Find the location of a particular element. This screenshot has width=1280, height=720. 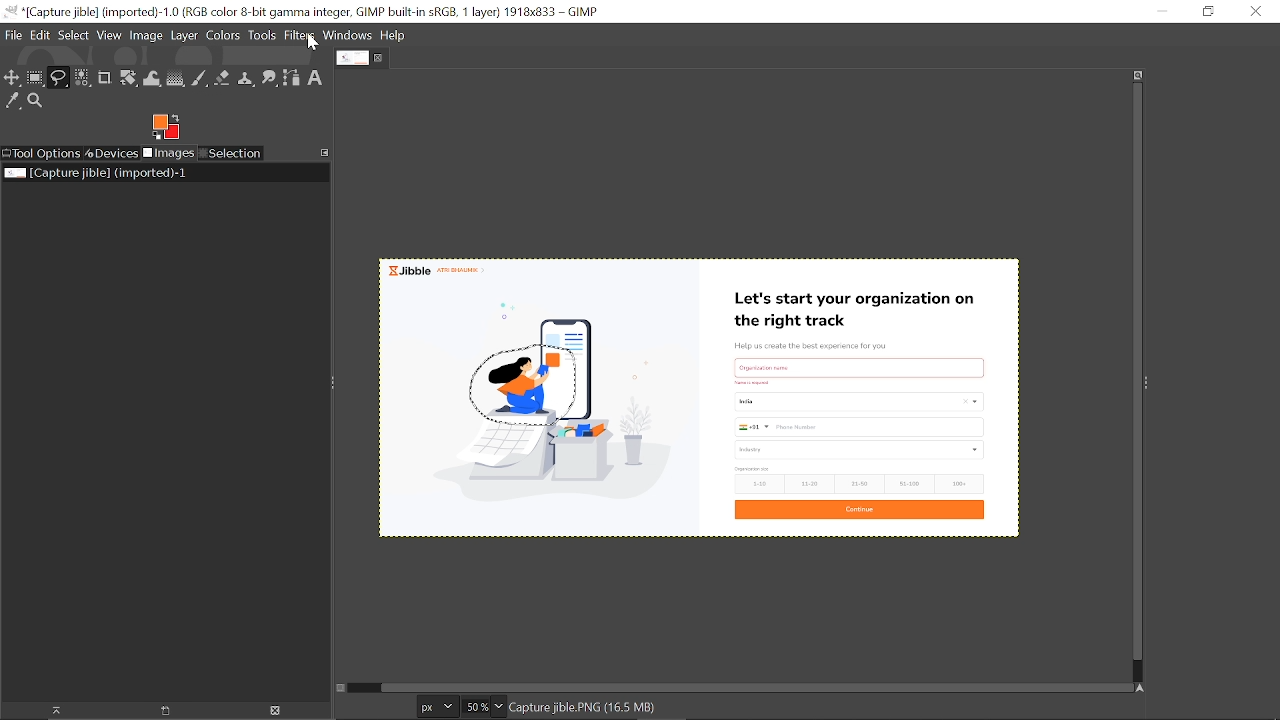

Wrap text tool is located at coordinates (153, 79).